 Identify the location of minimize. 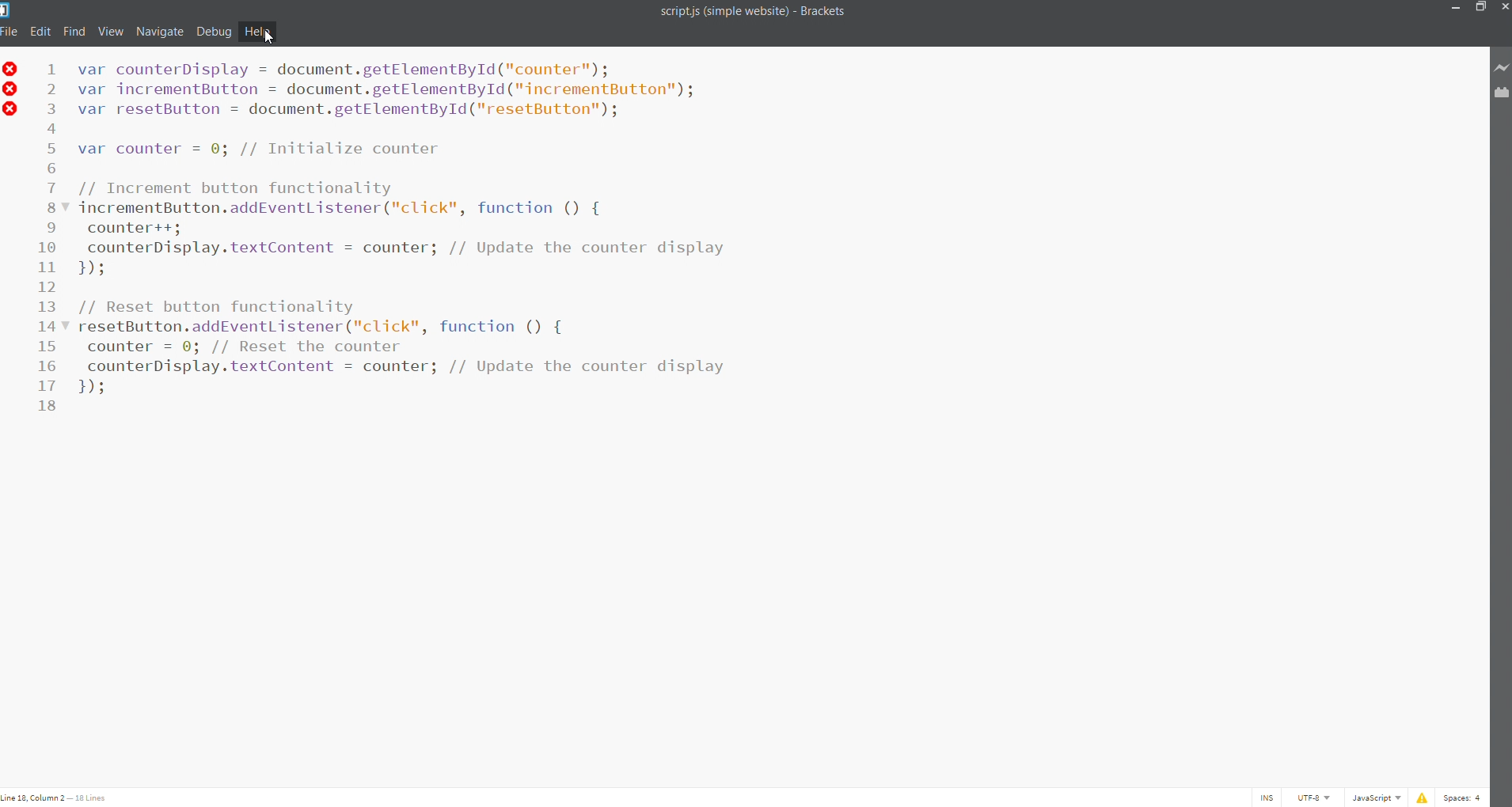
(1453, 7).